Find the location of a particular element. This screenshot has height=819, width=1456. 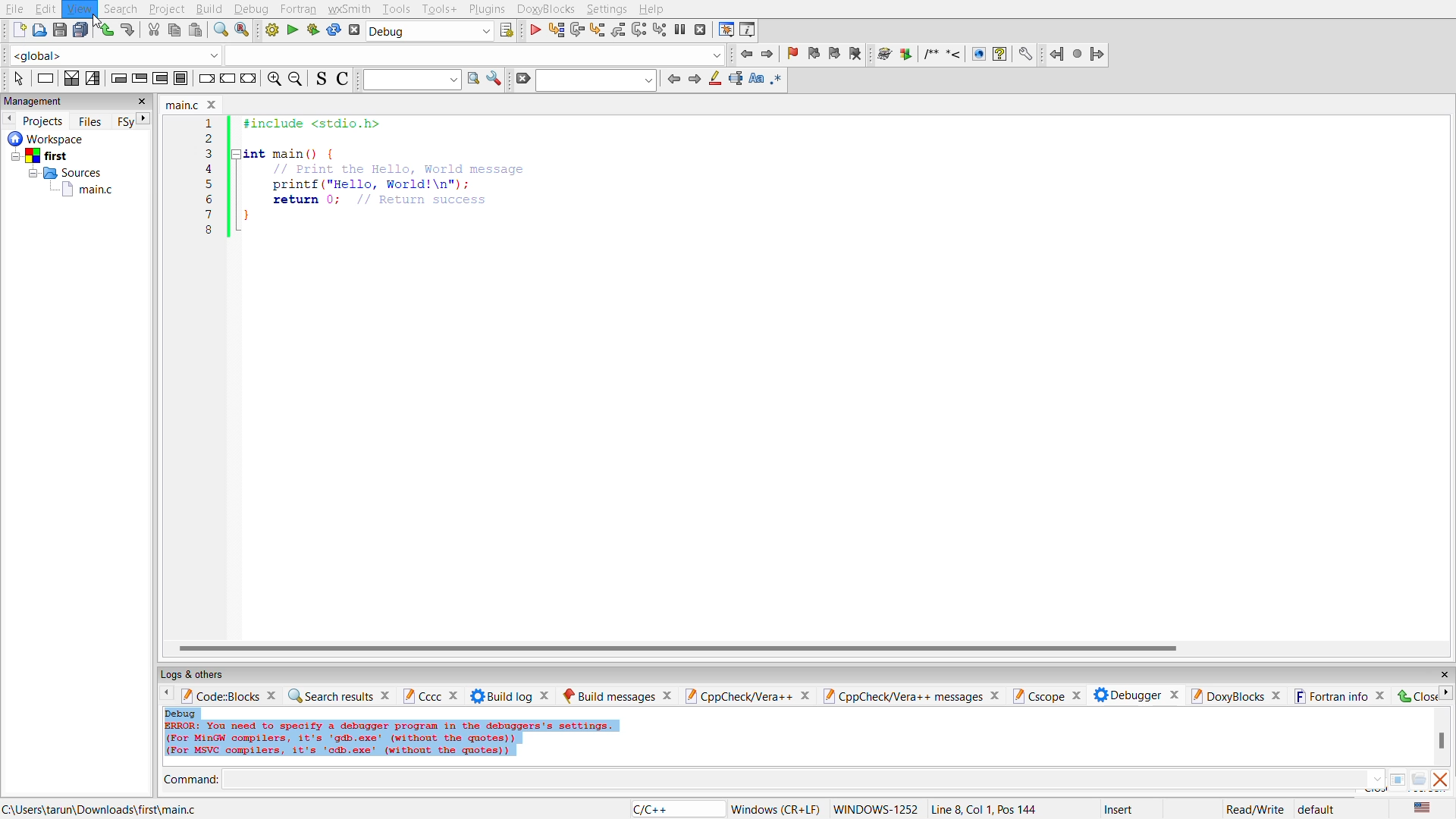

debugging windows is located at coordinates (726, 30).